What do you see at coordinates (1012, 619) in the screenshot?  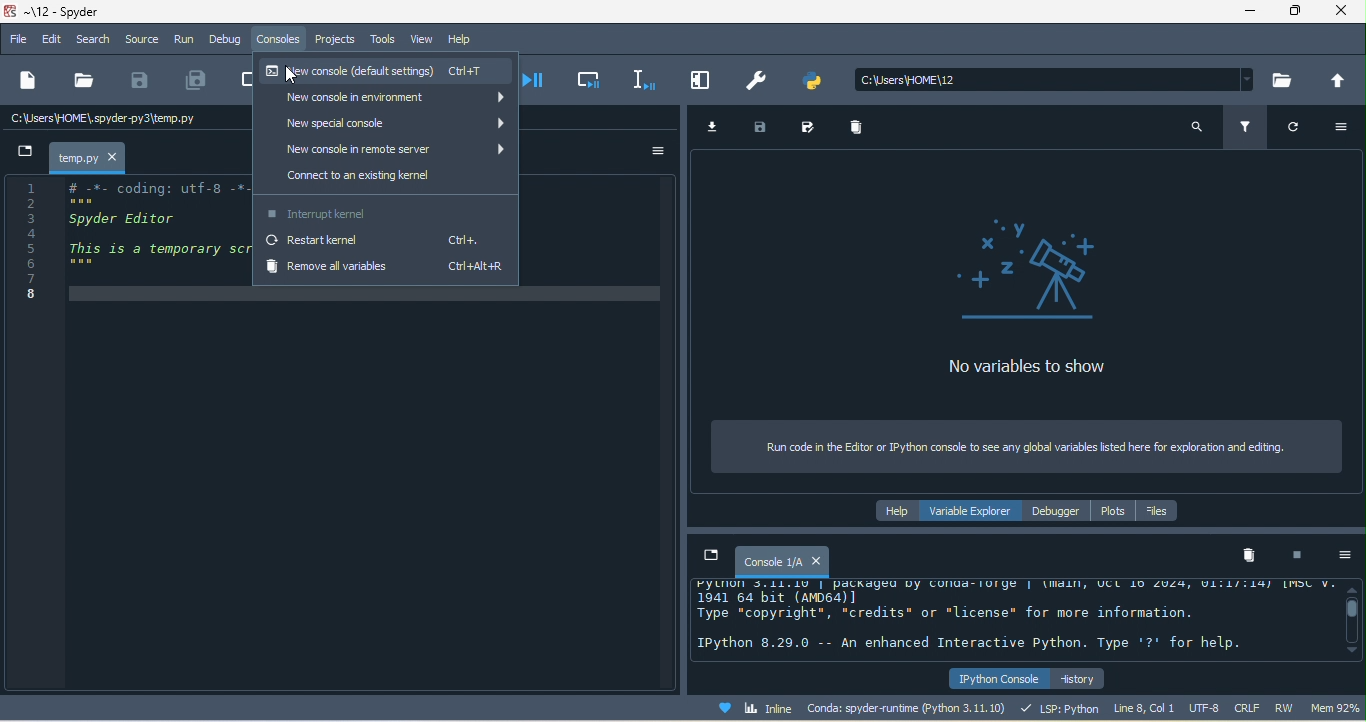 I see `ipython console pane` at bounding box center [1012, 619].